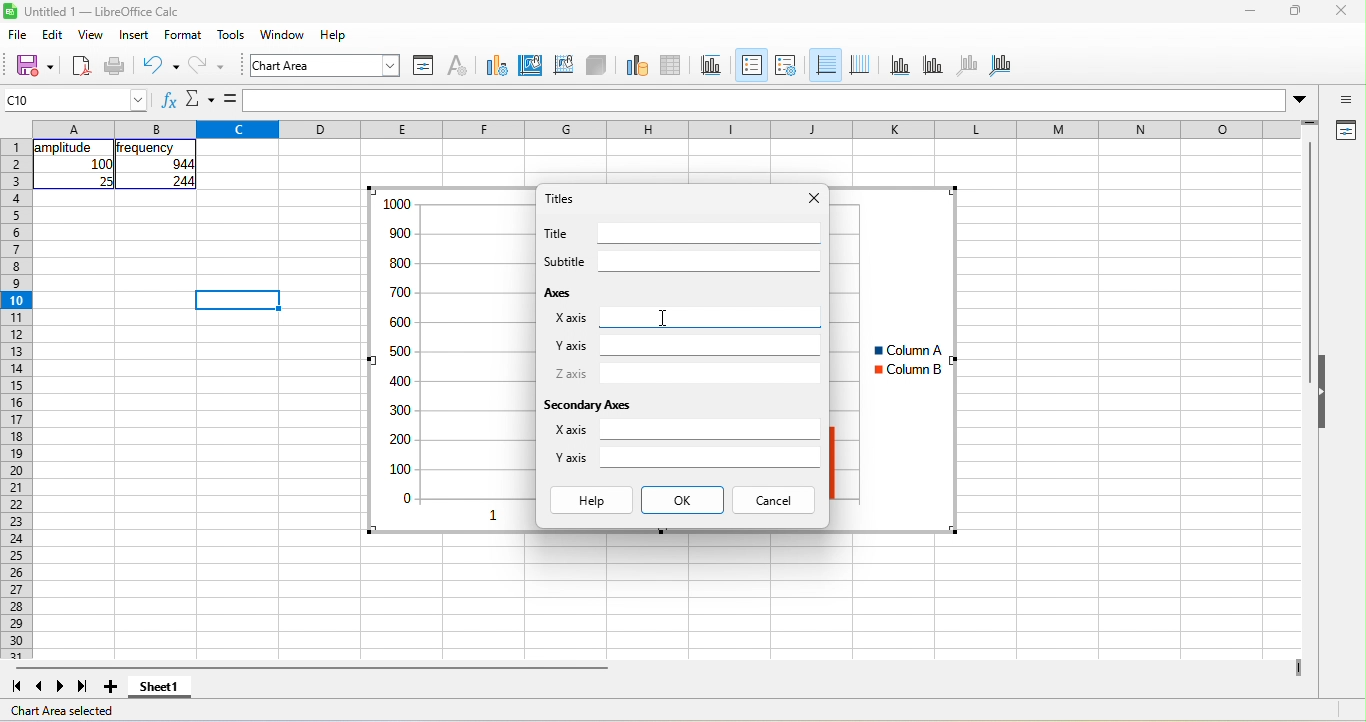 This screenshot has height=722, width=1366. Describe the element at coordinates (115, 67) in the screenshot. I see `print` at that location.